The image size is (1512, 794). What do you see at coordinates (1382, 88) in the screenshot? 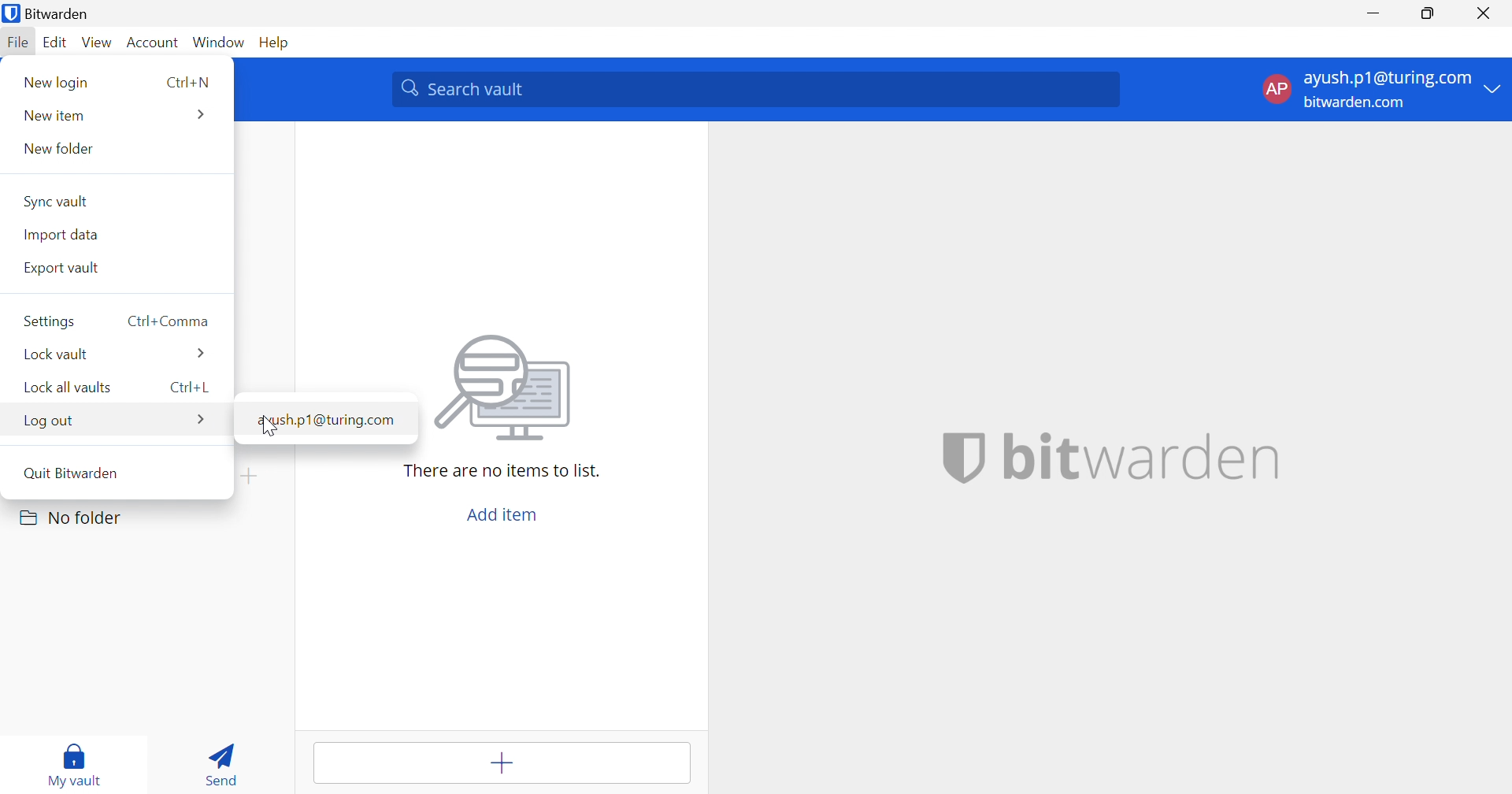
I see `account options` at bounding box center [1382, 88].